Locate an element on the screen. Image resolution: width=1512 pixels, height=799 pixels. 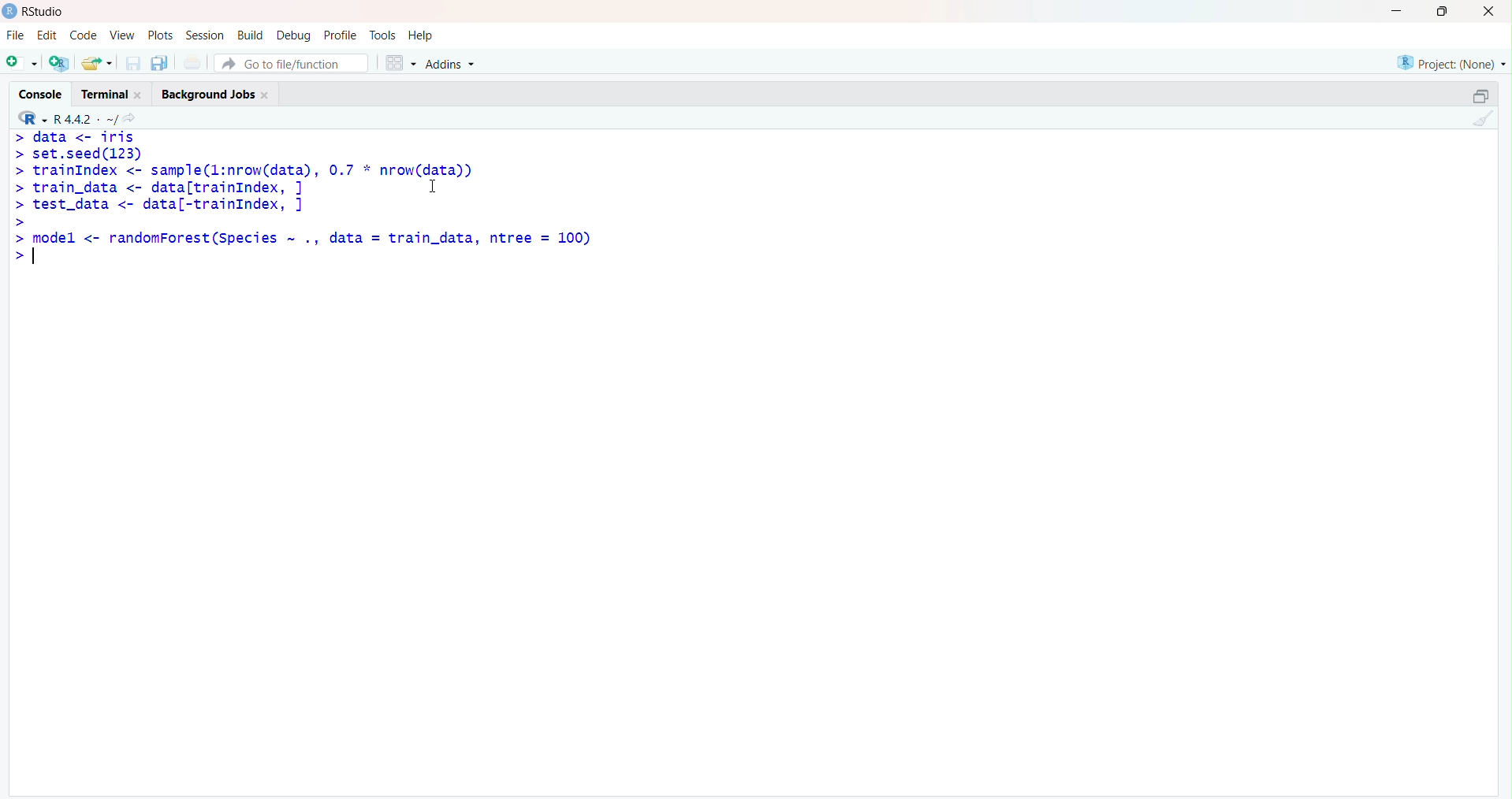
Help is located at coordinates (422, 36).